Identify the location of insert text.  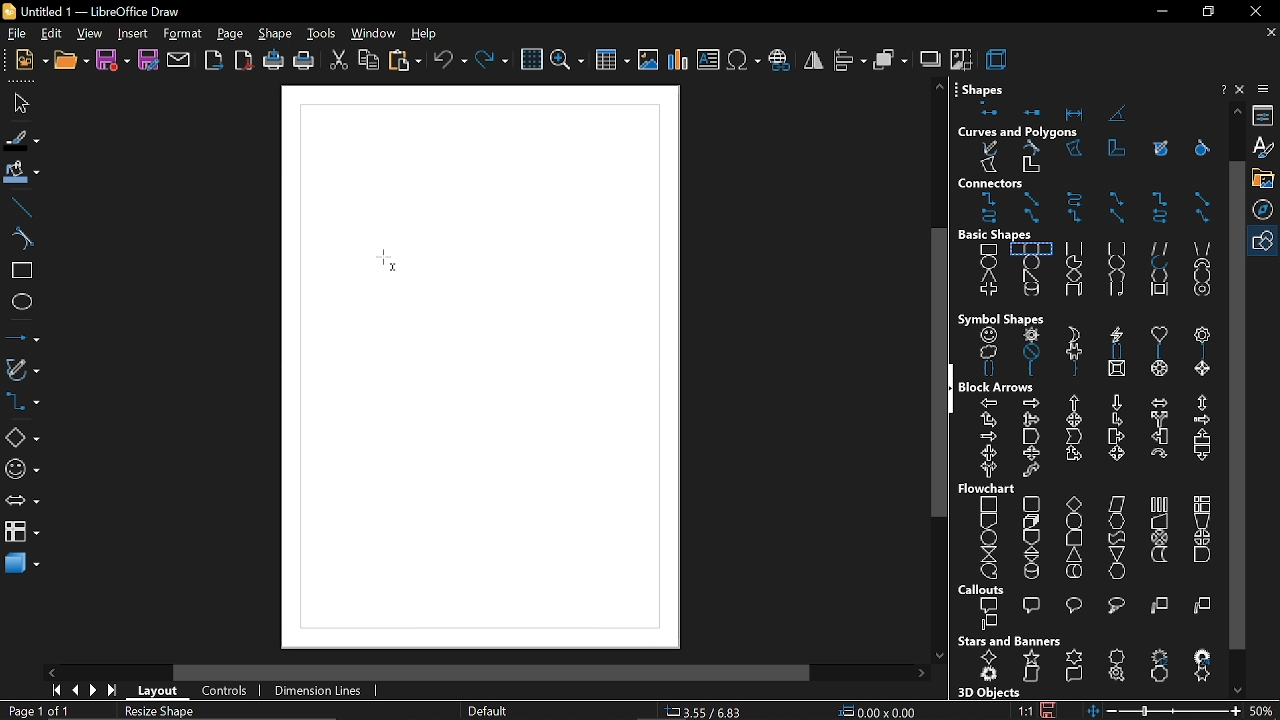
(708, 61).